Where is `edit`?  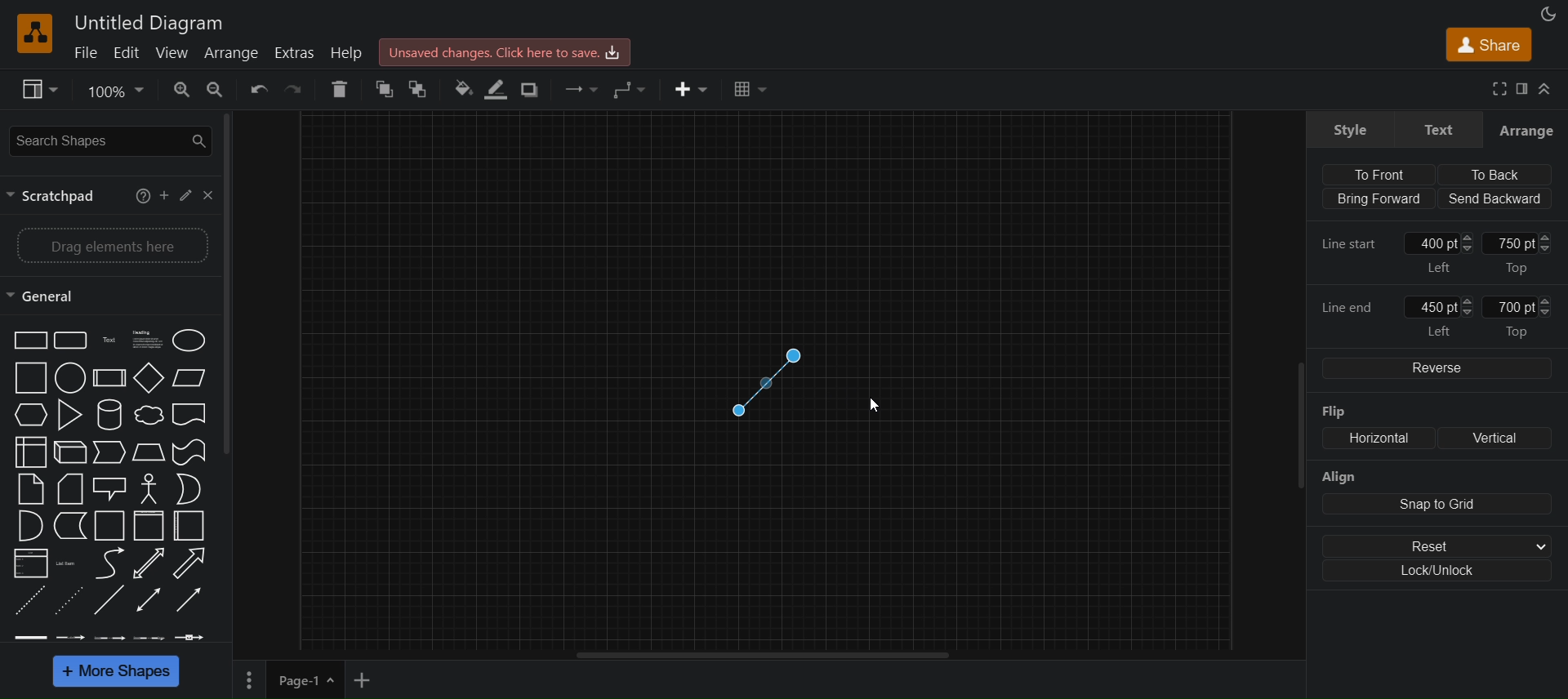
edit is located at coordinates (127, 52).